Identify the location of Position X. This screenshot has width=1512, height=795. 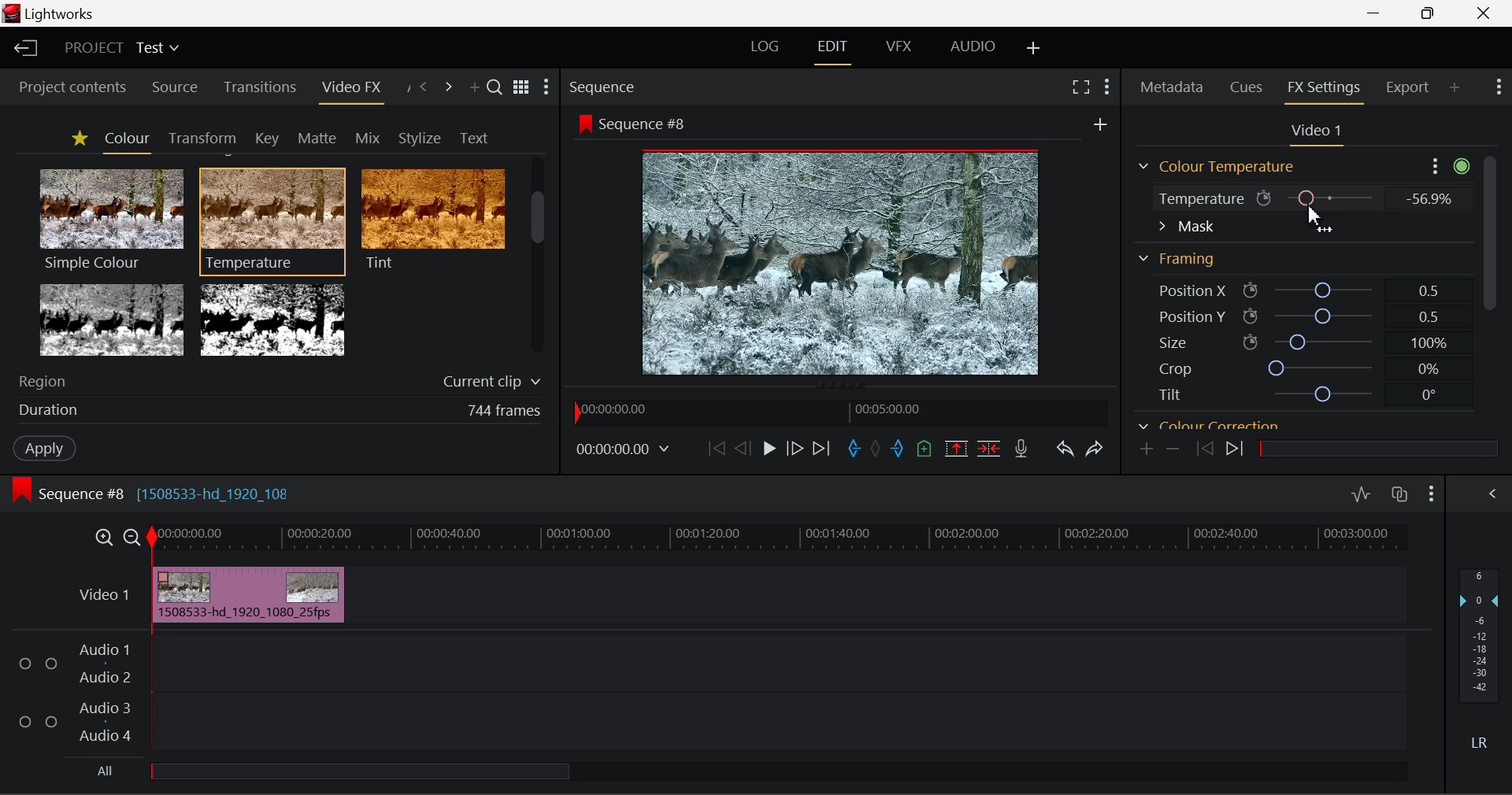
(1183, 291).